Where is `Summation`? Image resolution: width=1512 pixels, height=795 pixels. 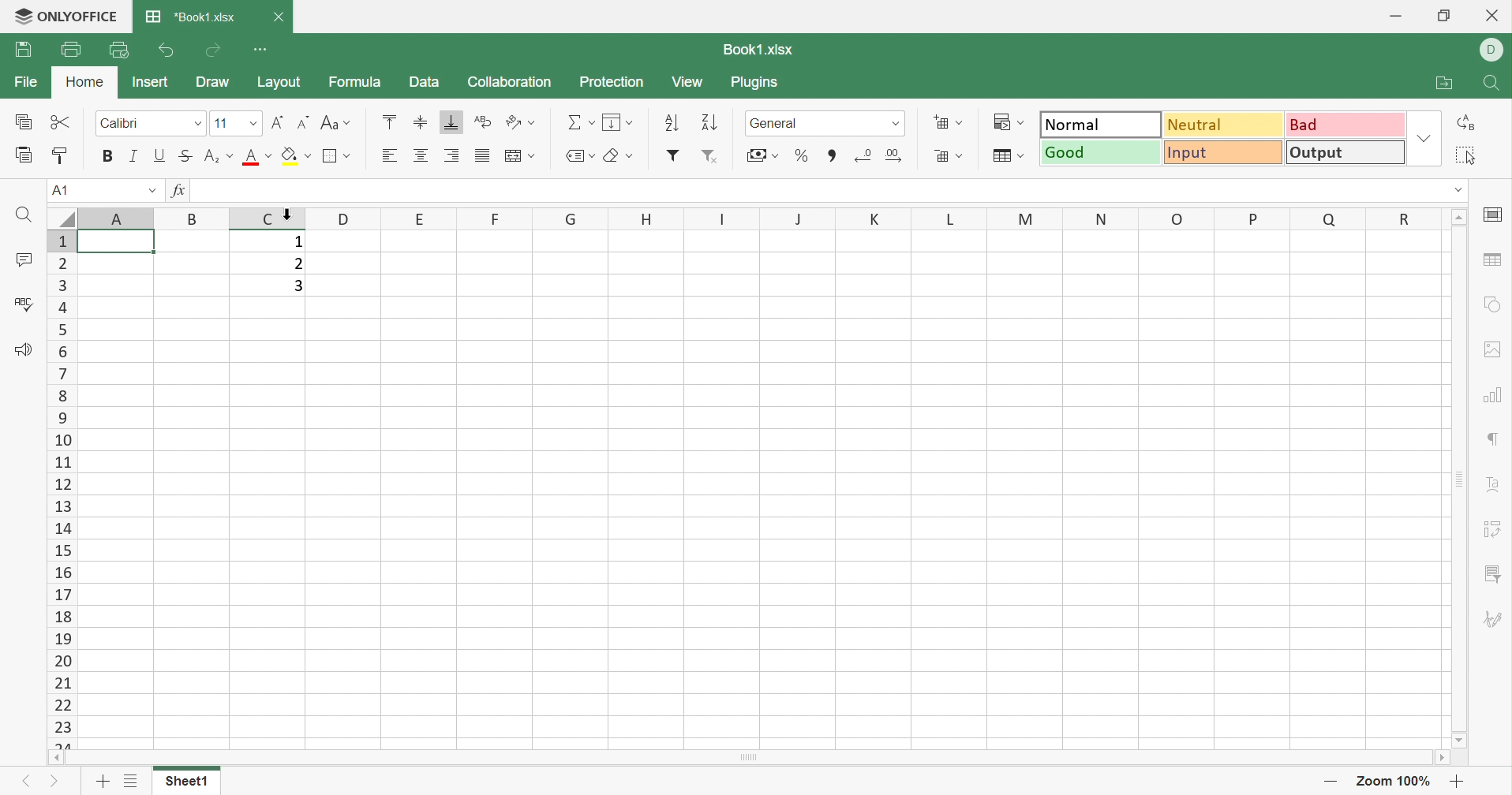 Summation is located at coordinates (574, 123).